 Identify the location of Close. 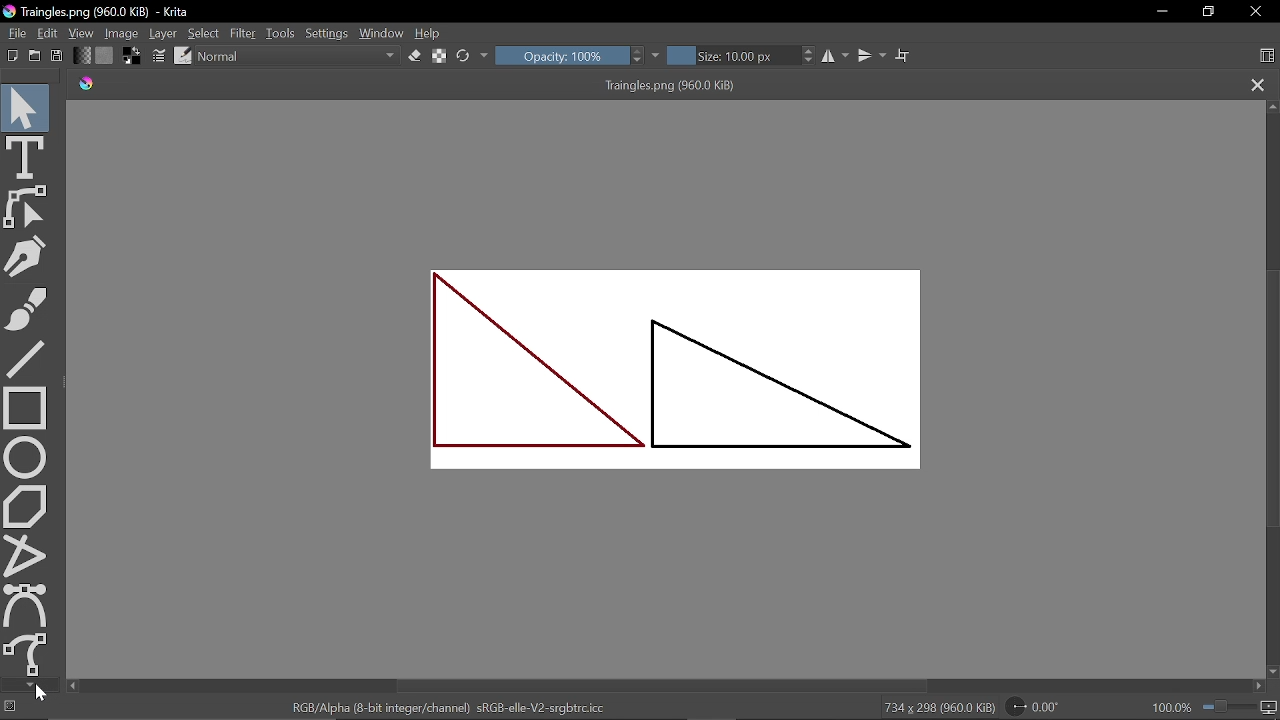
(1258, 13).